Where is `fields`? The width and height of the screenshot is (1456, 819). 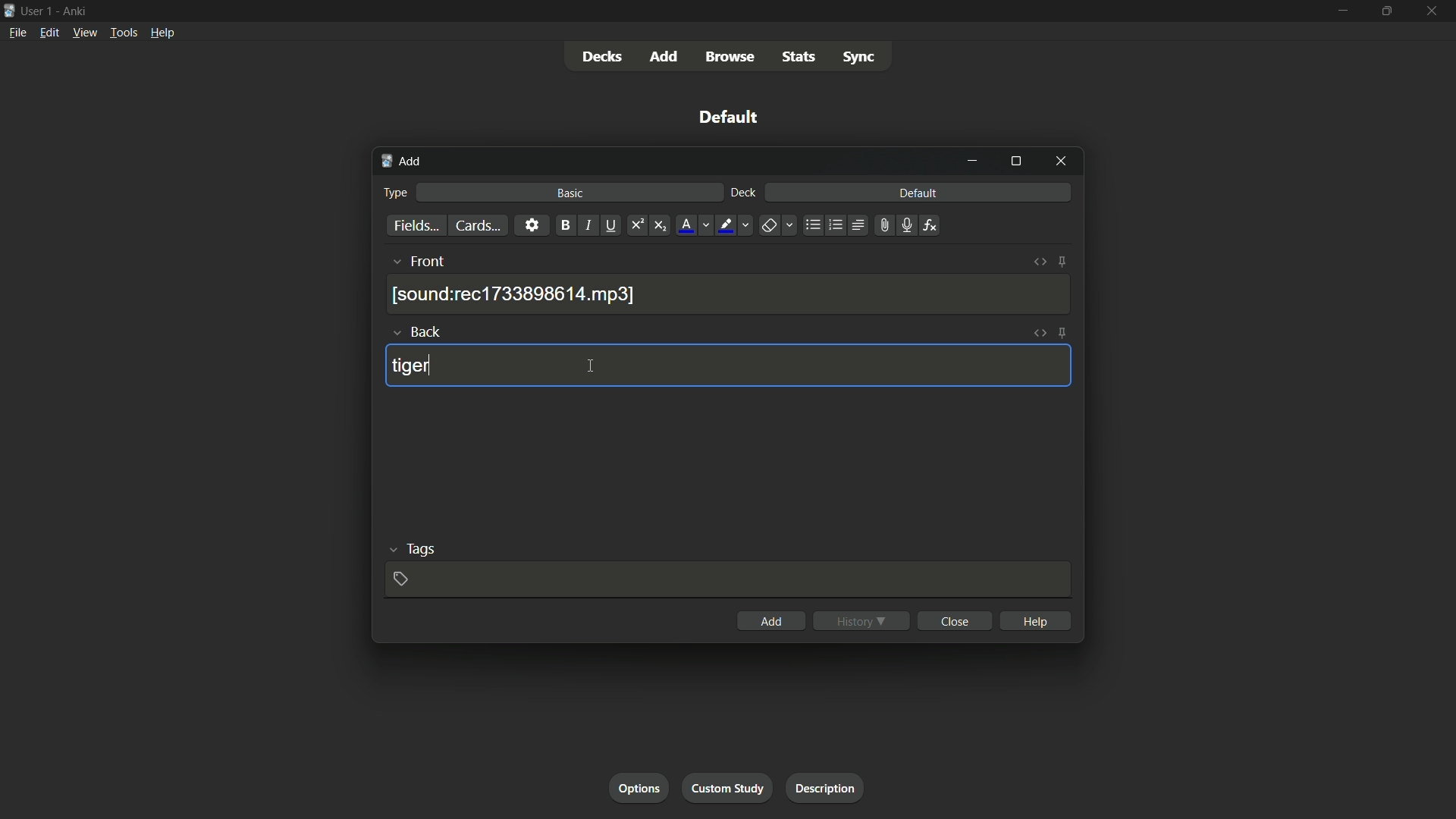
fields is located at coordinates (415, 226).